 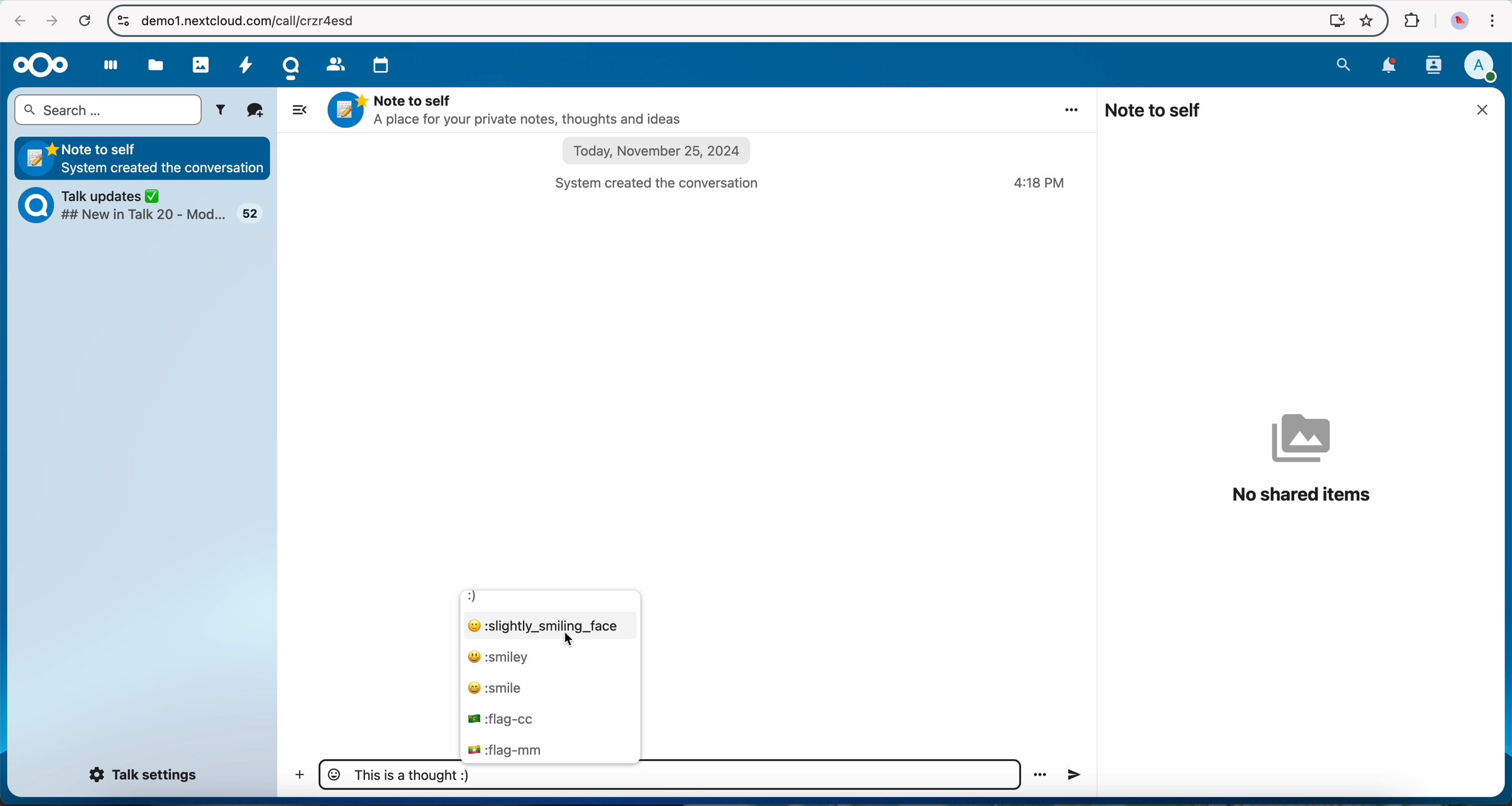 I want to click on Note to self, so click(x=144, y=157).